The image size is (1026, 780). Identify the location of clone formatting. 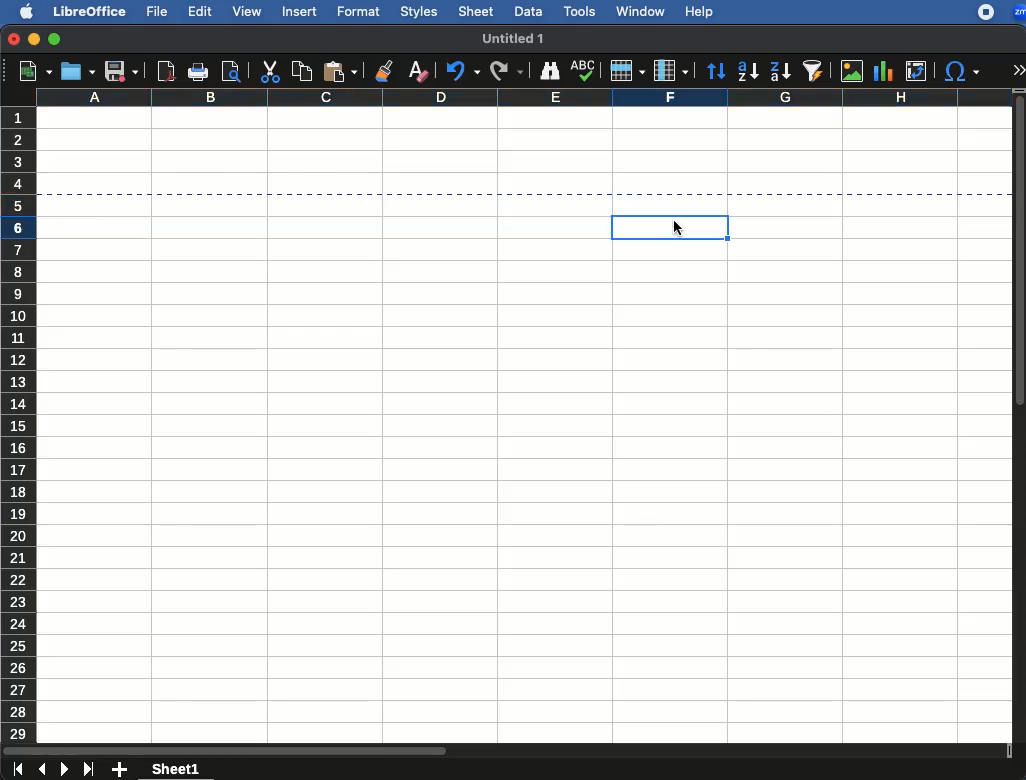
(383, 69).